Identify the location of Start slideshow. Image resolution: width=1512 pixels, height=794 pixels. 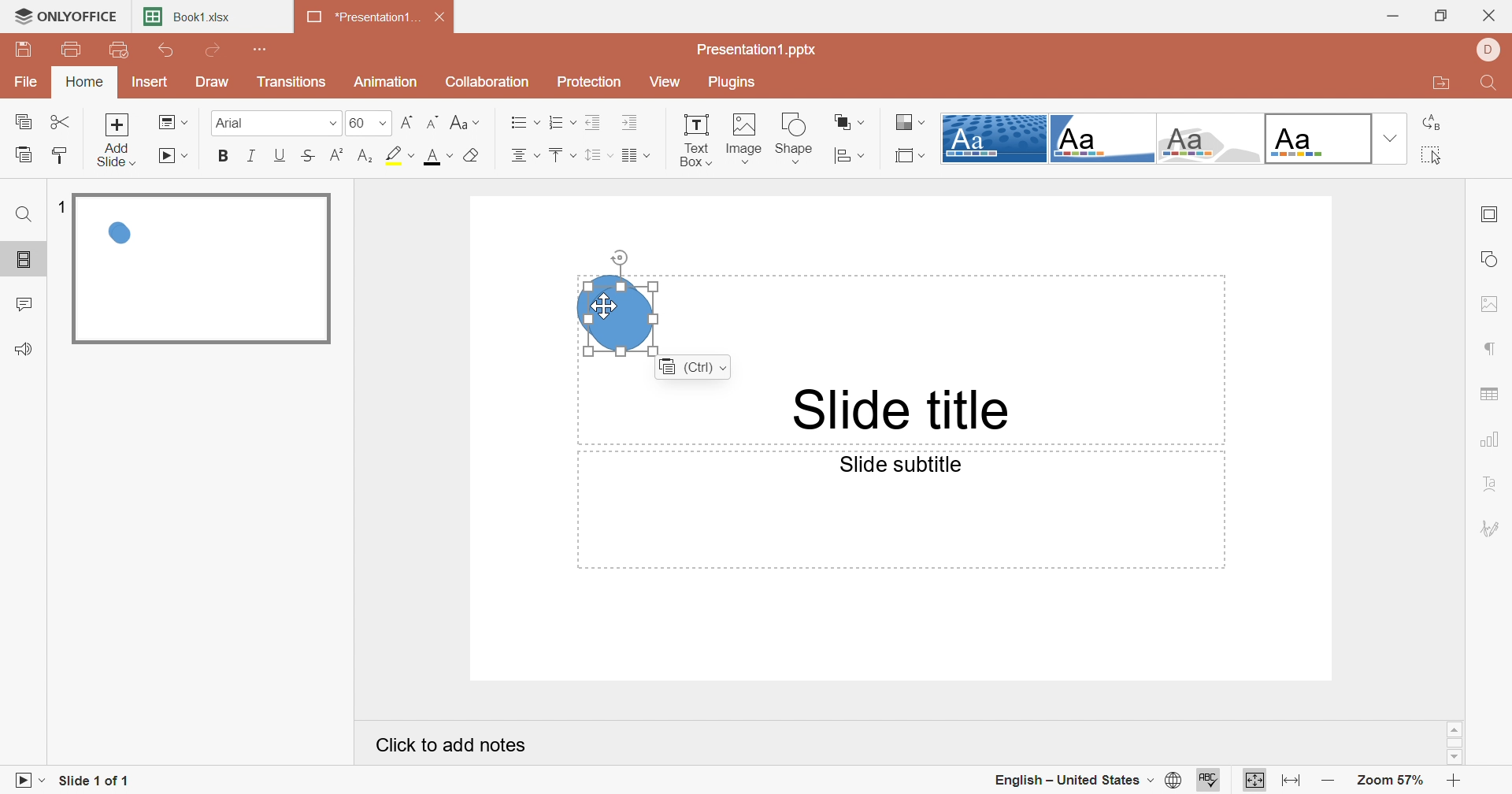
(175, 156).